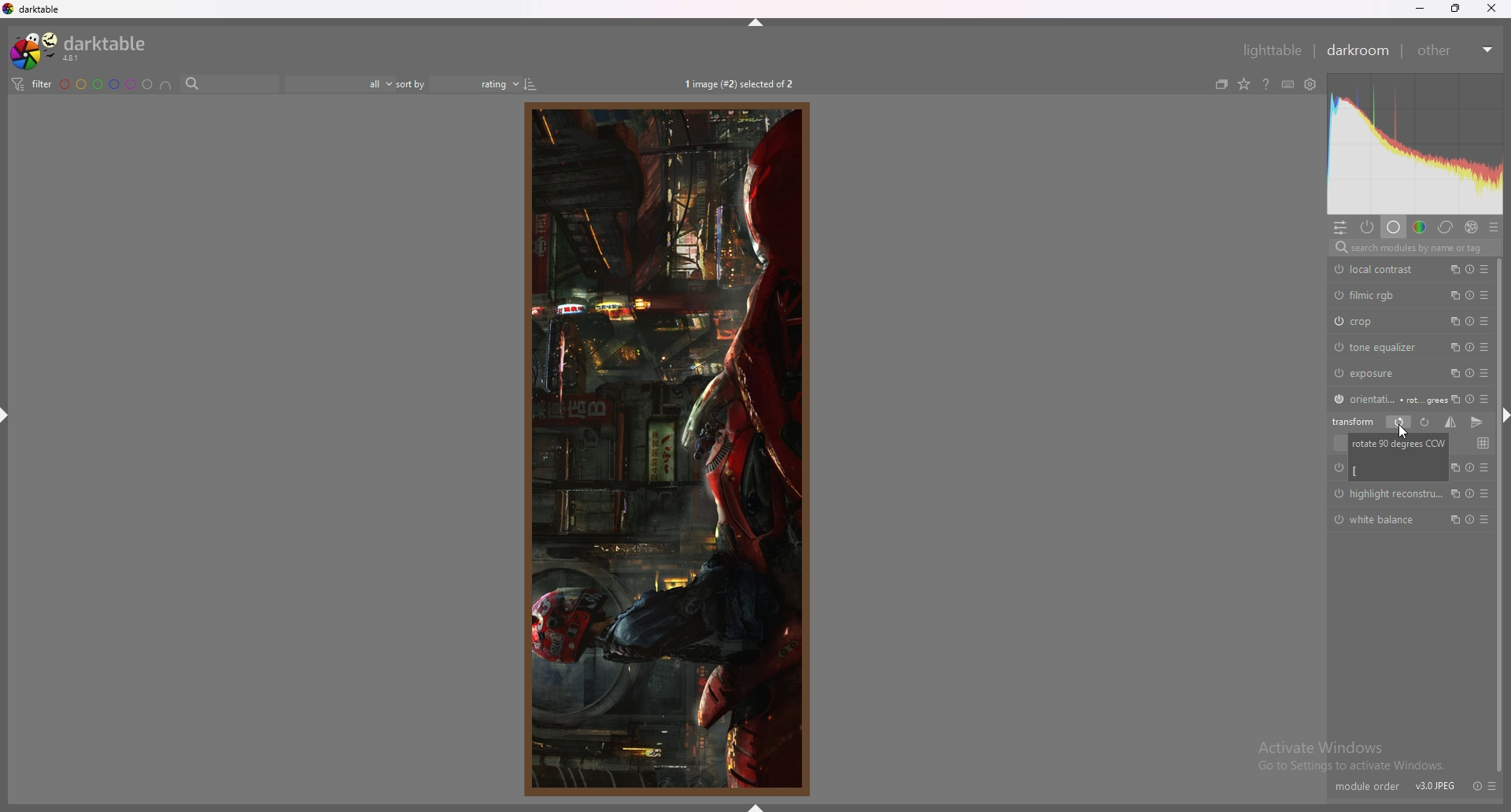  Describe the element at coordinates (1471, 322) in the screenshot. I see `reset` at that location.